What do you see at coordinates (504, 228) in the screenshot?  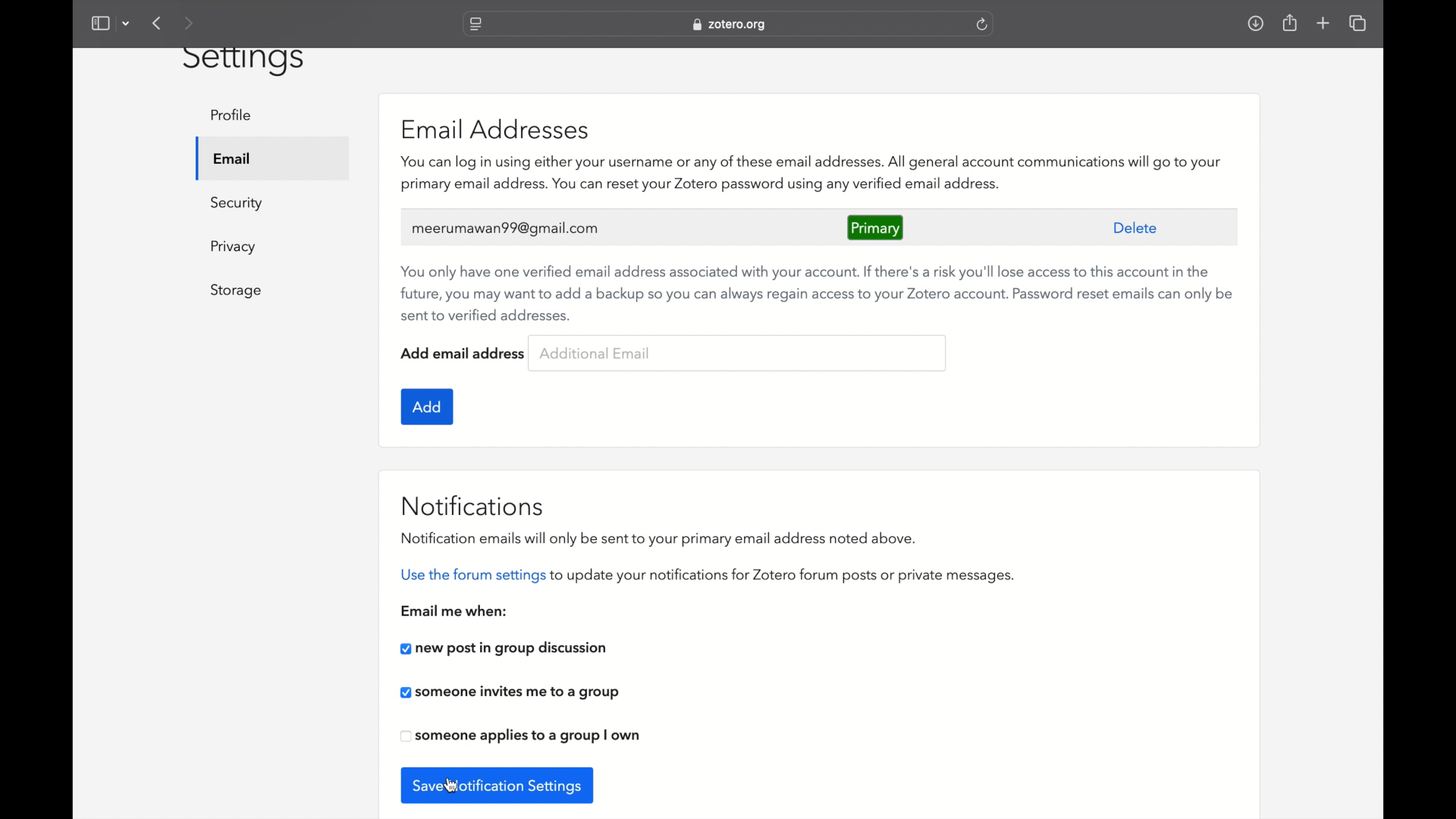 I see `user's email address` at bounding box center [504, 228].